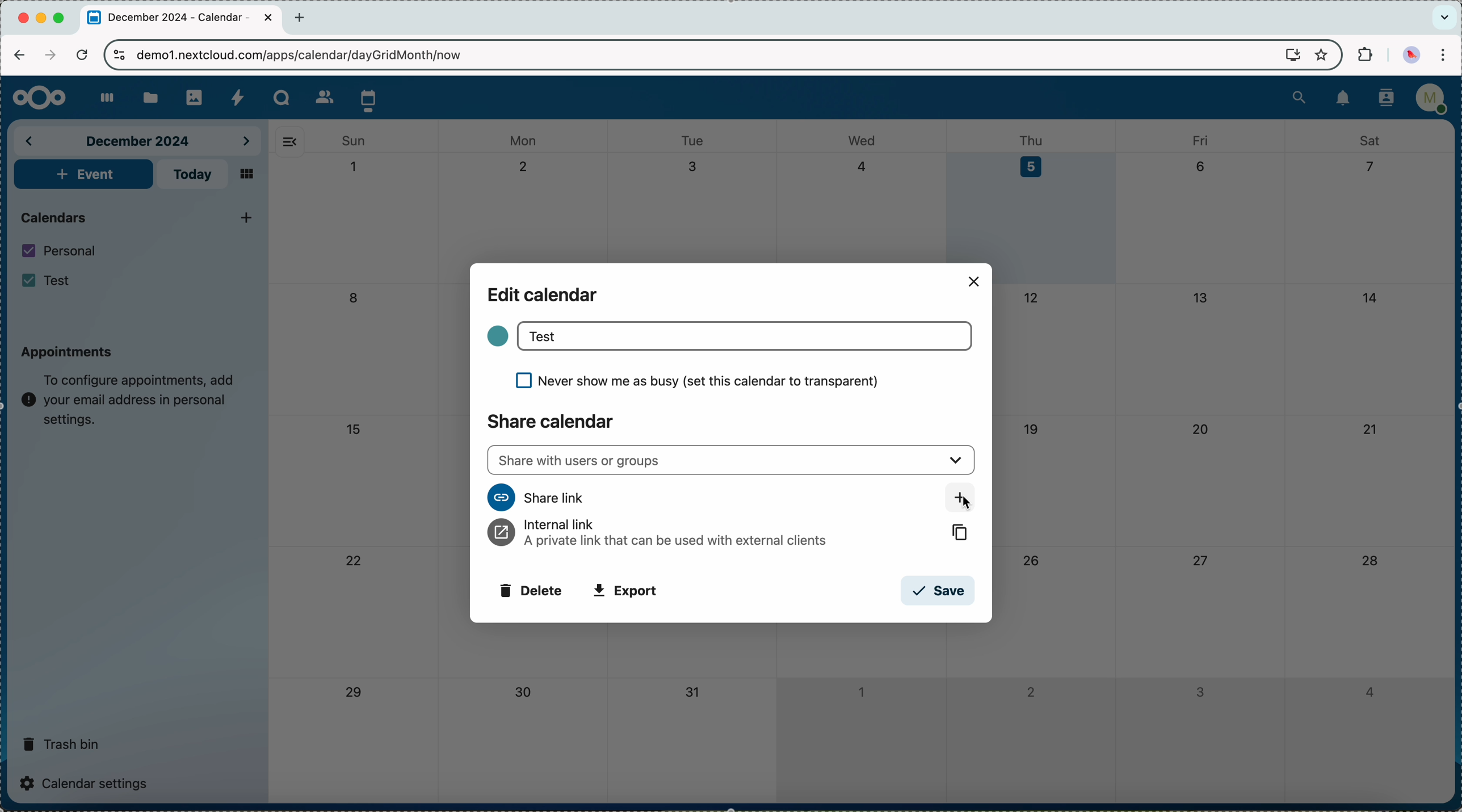 This screenshot has width=1462, height=812. Describe the element at coordinates (1031, 691) in the screenshot. I see `2` at that location.